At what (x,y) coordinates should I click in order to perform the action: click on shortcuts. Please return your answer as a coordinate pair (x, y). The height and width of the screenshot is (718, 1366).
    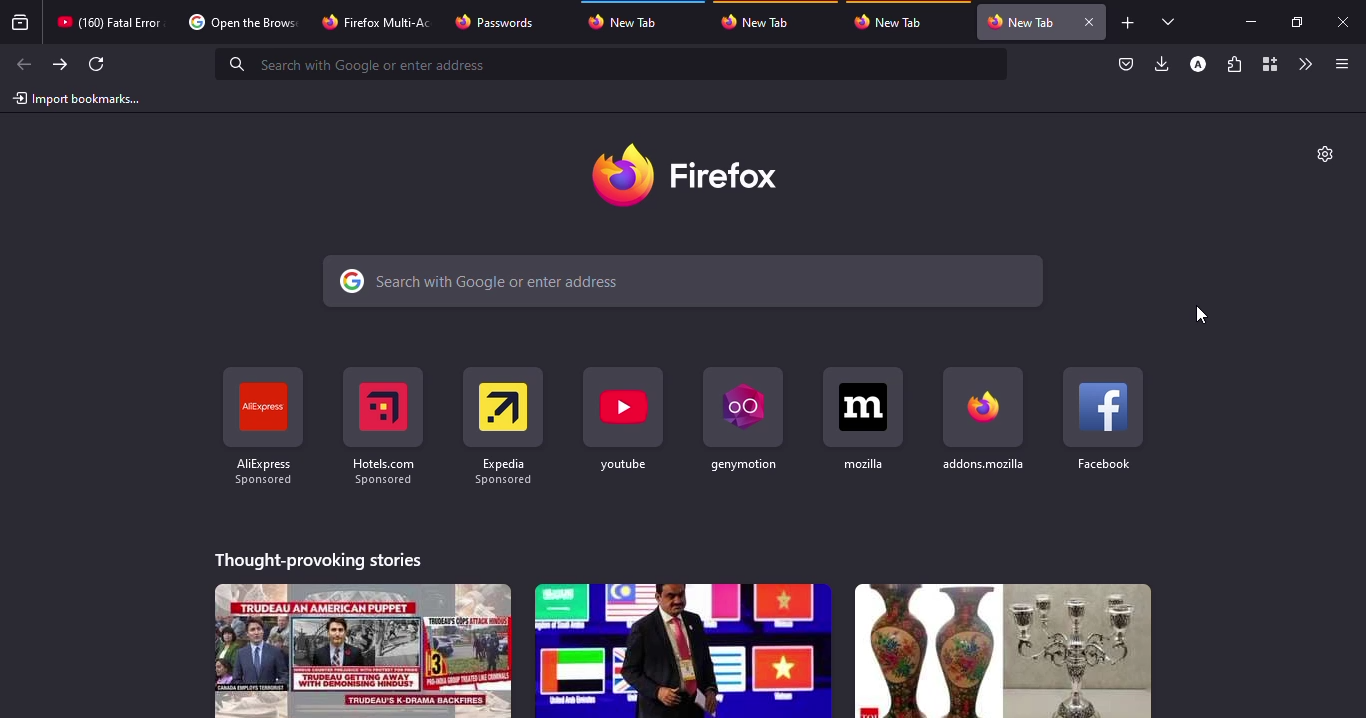
    Looking at the image, I should click on (621, 420).